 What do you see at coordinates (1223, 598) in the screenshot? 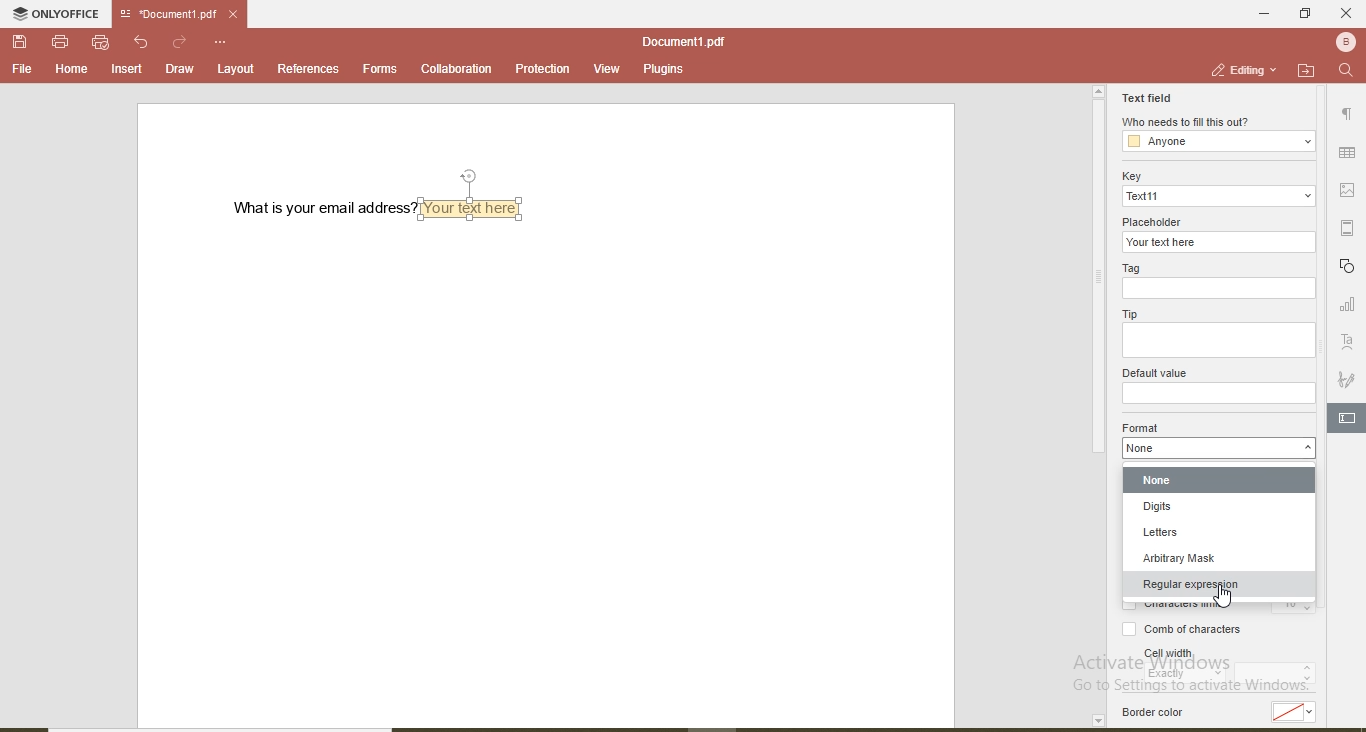
I see `cursor` at bounding box center [1223, 598].